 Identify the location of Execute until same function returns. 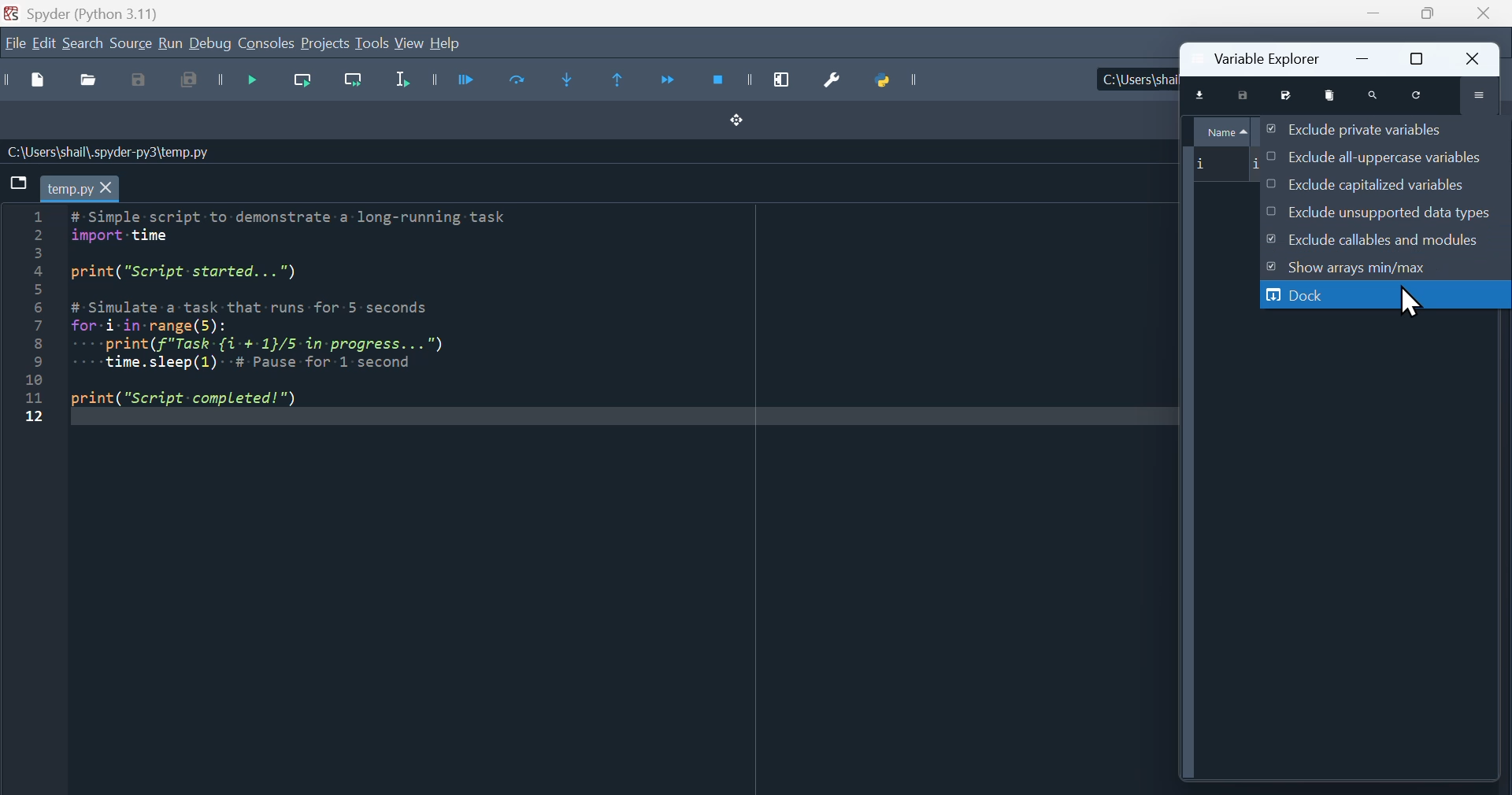
(621, 78).